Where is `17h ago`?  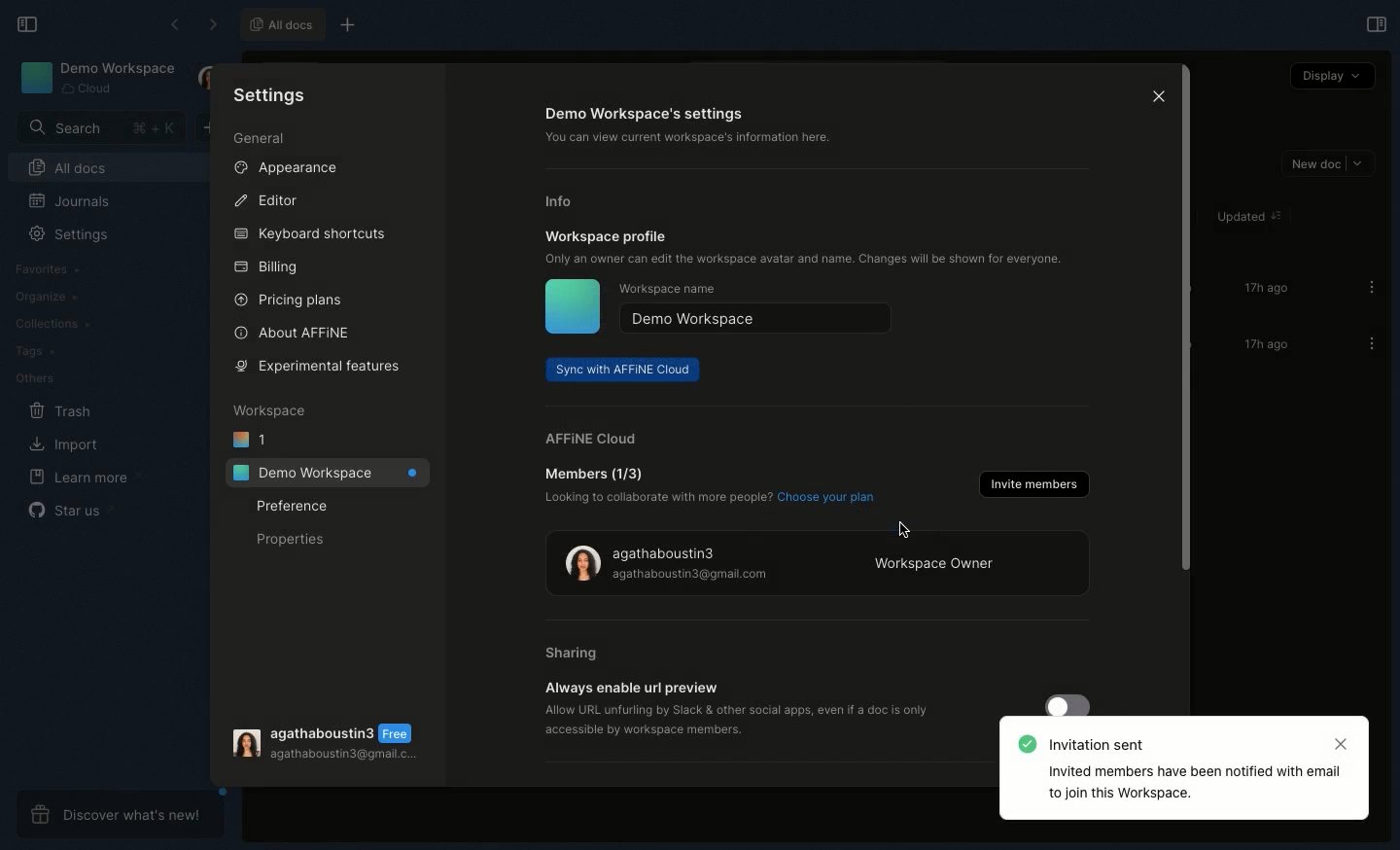
17h ago is located at coordinates (1262, 290).